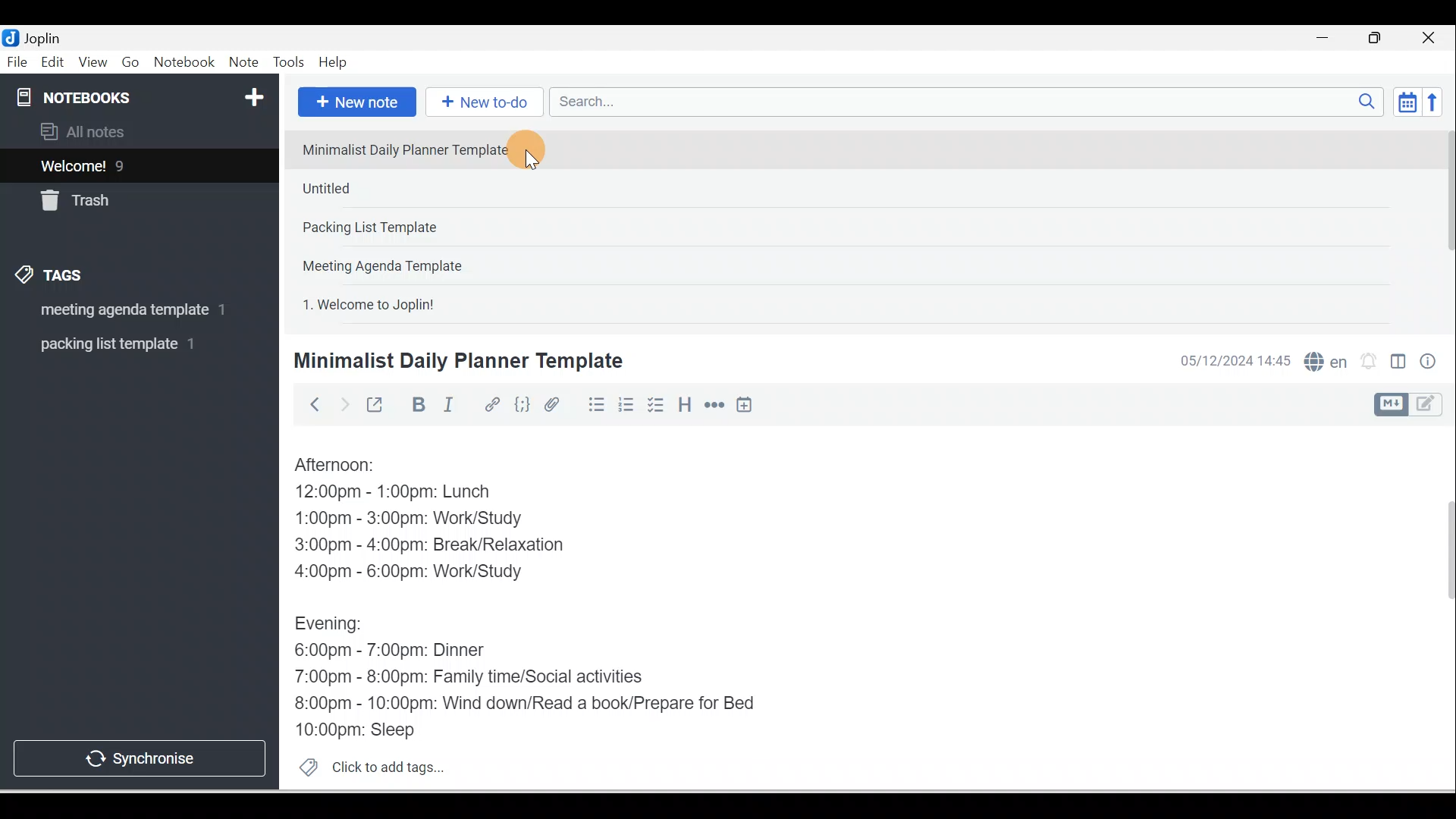 The width and height of the screenshot is (1456, 819). I want to click on 4:00pm - 6:00pm: Work/Study, so click(415, 572).